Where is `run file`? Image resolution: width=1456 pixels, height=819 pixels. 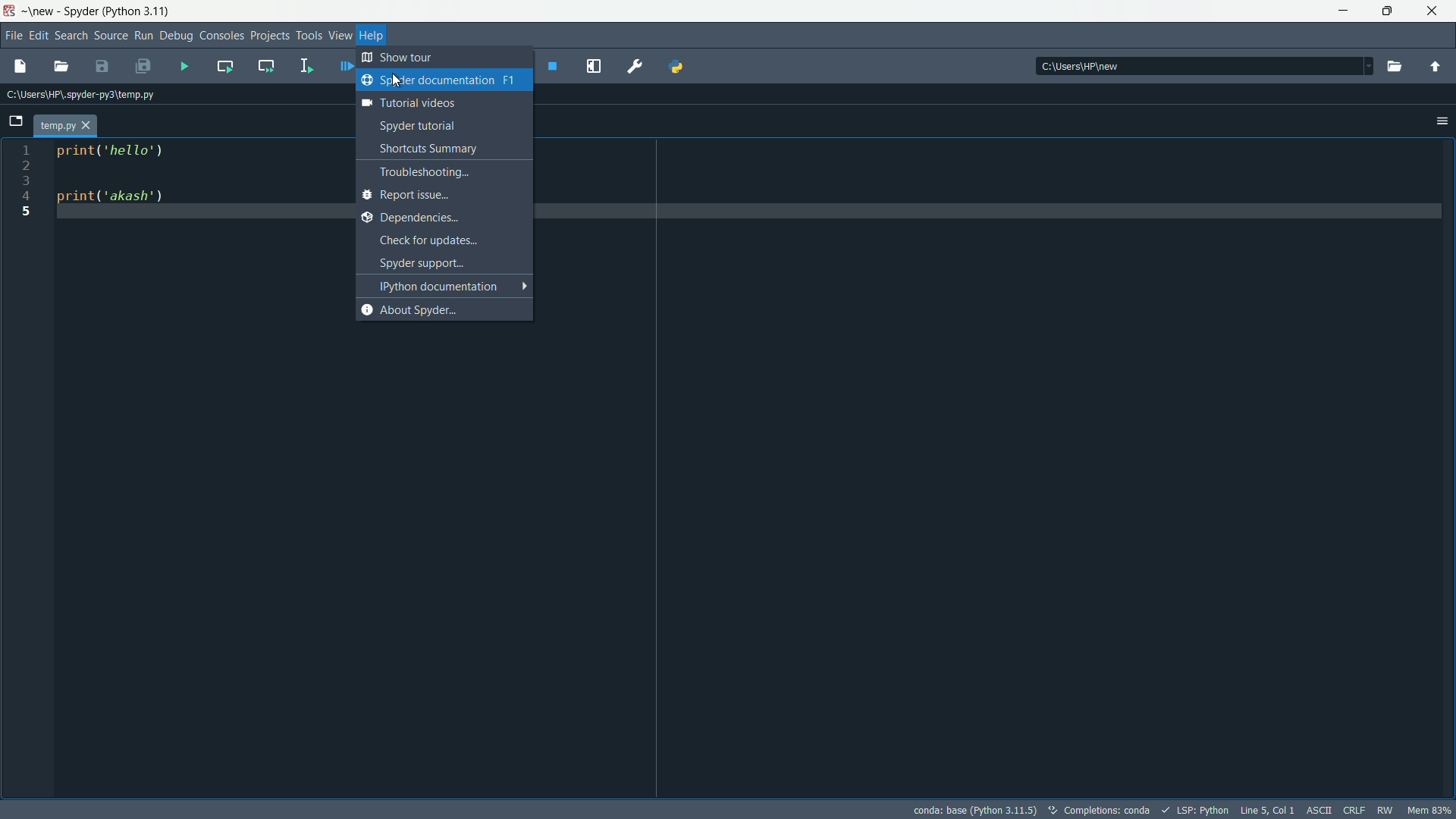 run file is located at coordinates (184, 67).